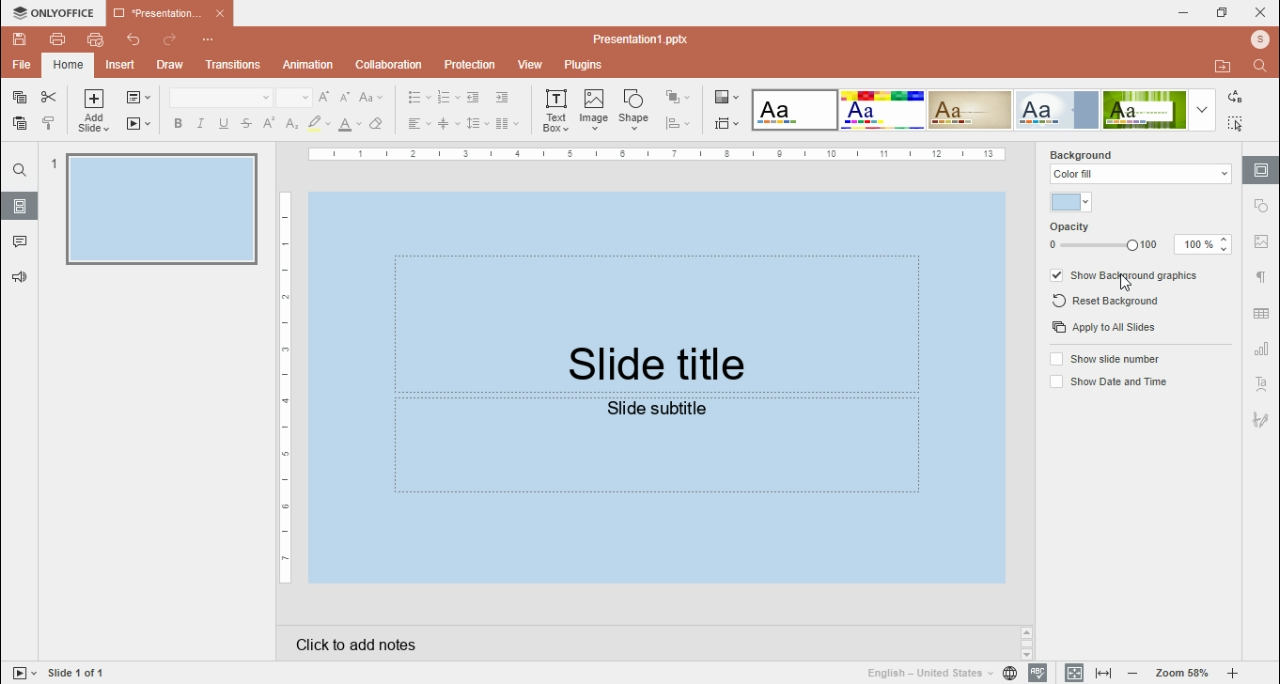 Image resolution: width=1280 pixels, height=684 pixels. Describe the element at coordinates (48, 124) in the screenshot. I see `copy style` at that location.